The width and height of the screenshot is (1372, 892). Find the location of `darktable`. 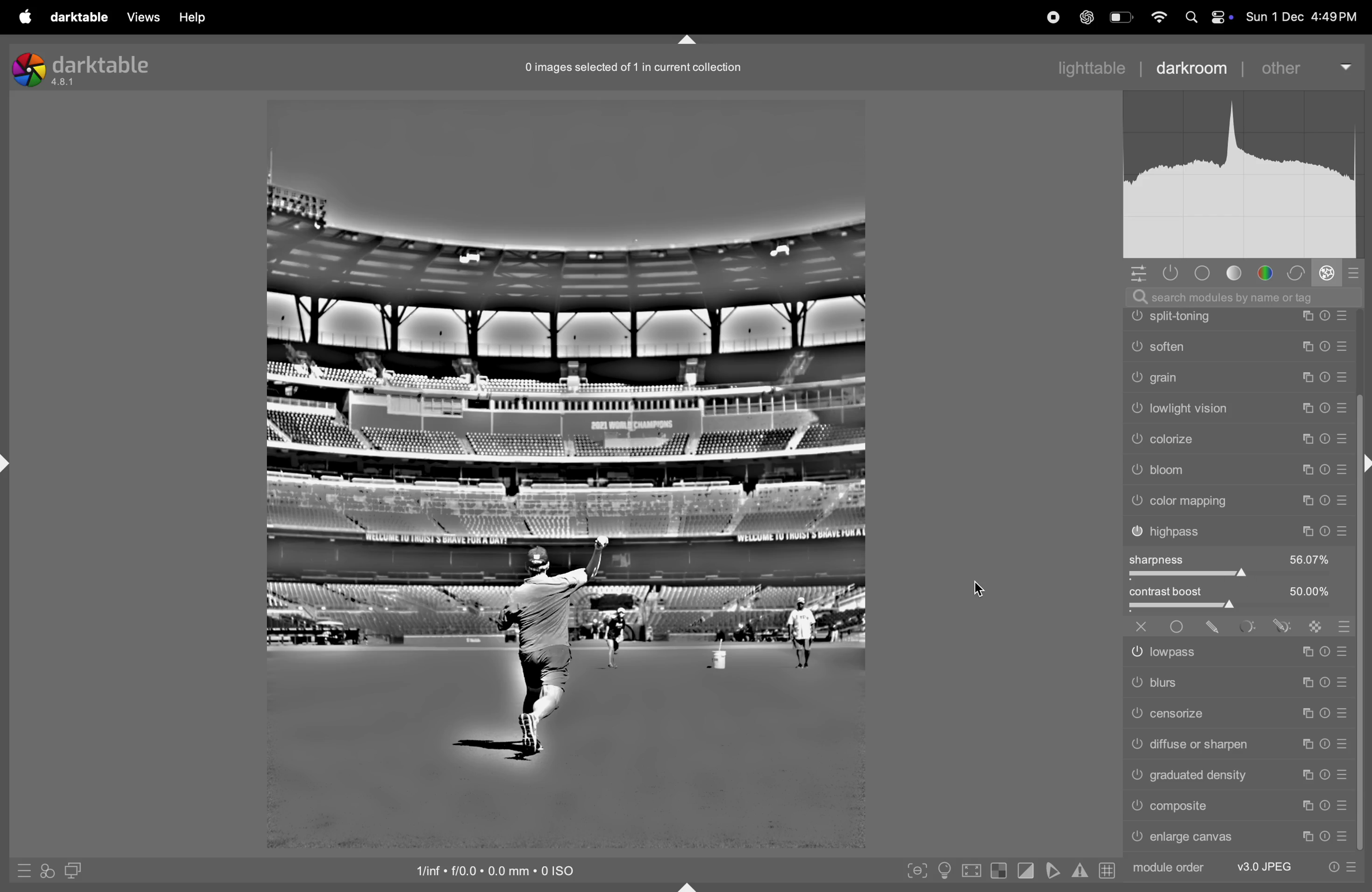

darktable is located at coordinates (79, 17).